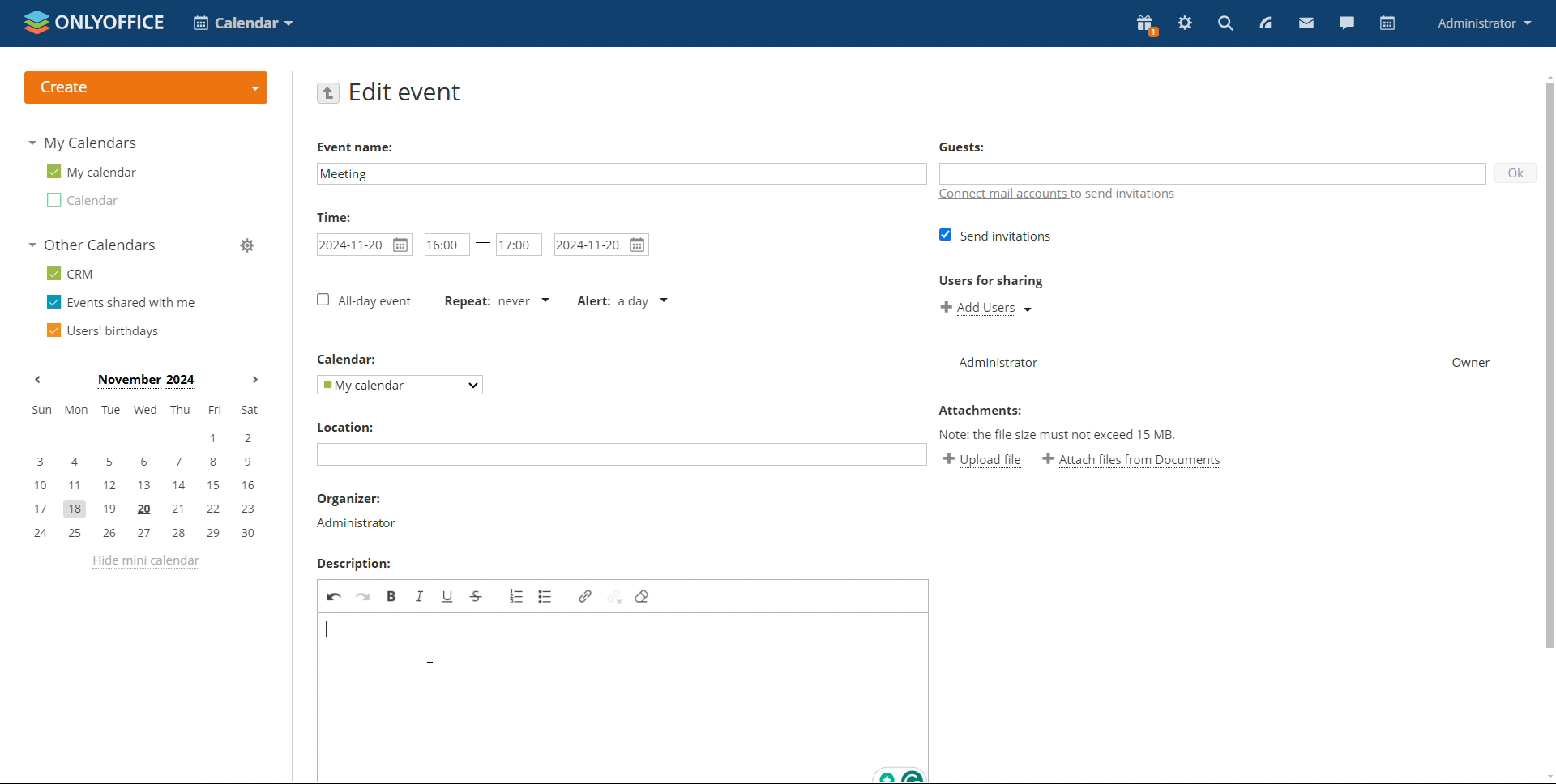 This screenshot has width=1556, height=784. I want to click on upload file, so click(984, 462).